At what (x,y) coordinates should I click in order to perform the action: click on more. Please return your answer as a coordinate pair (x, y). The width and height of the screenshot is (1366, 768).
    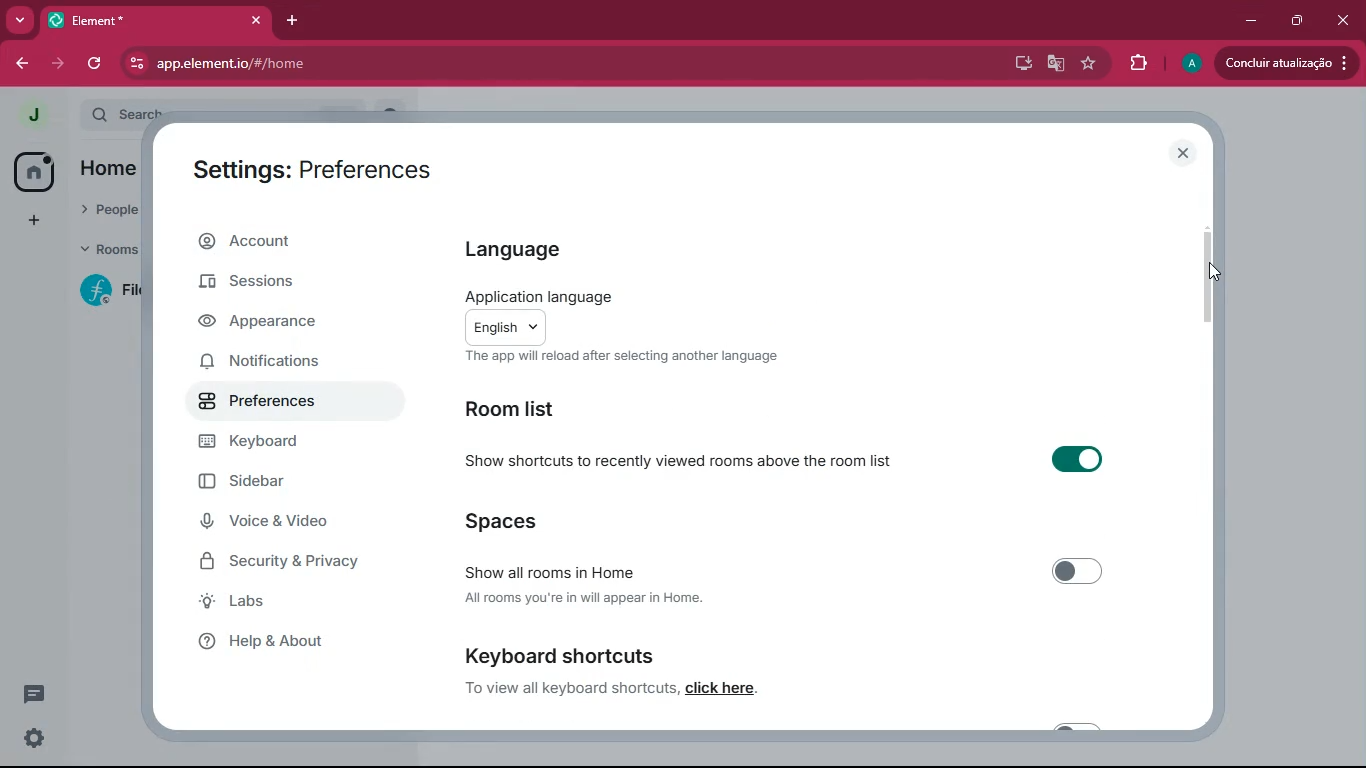
    Looking at the image, I should click on (18, 20).